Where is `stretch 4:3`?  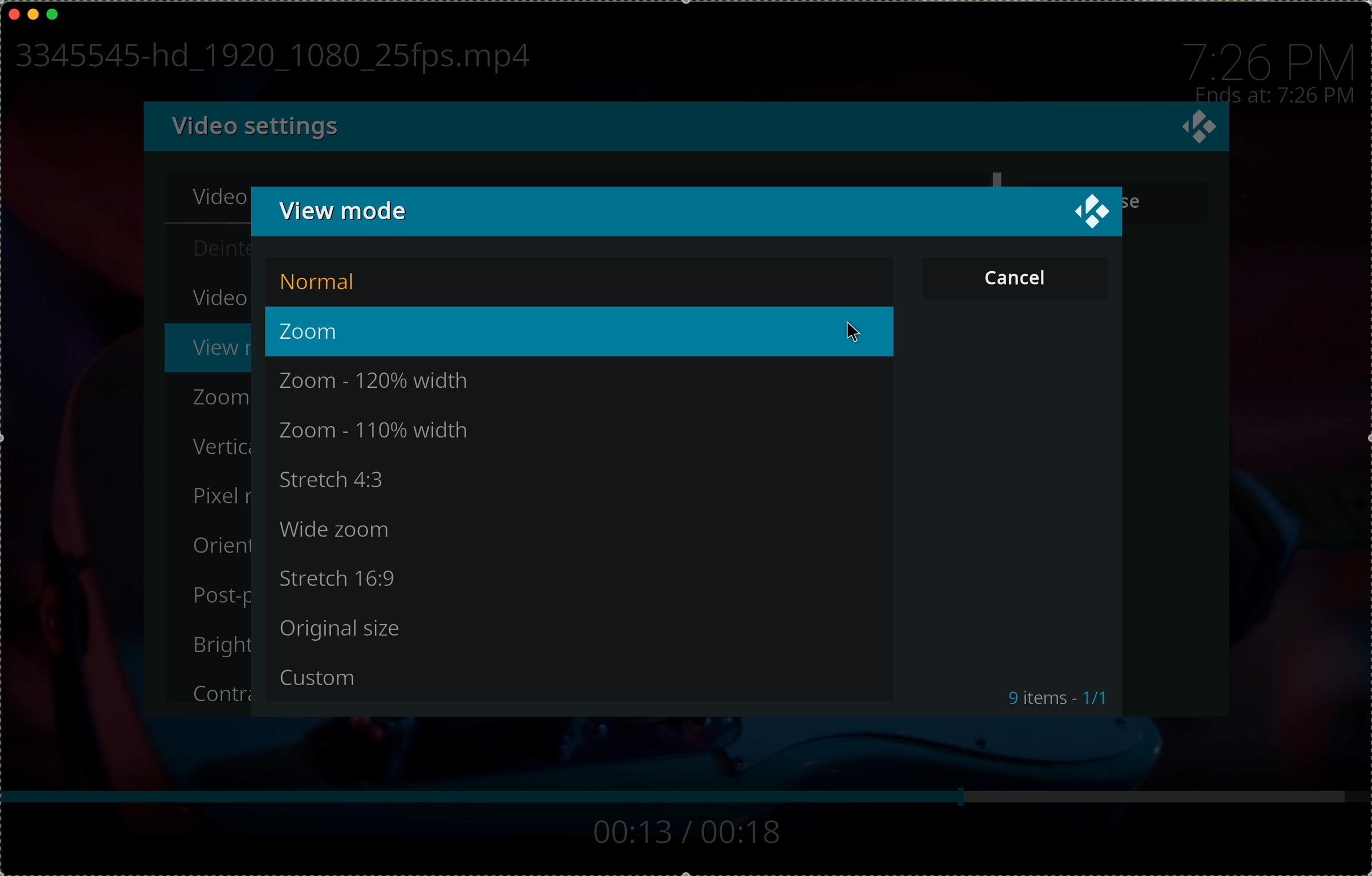
stretch 4:3 is located at coordinates (332, 482).